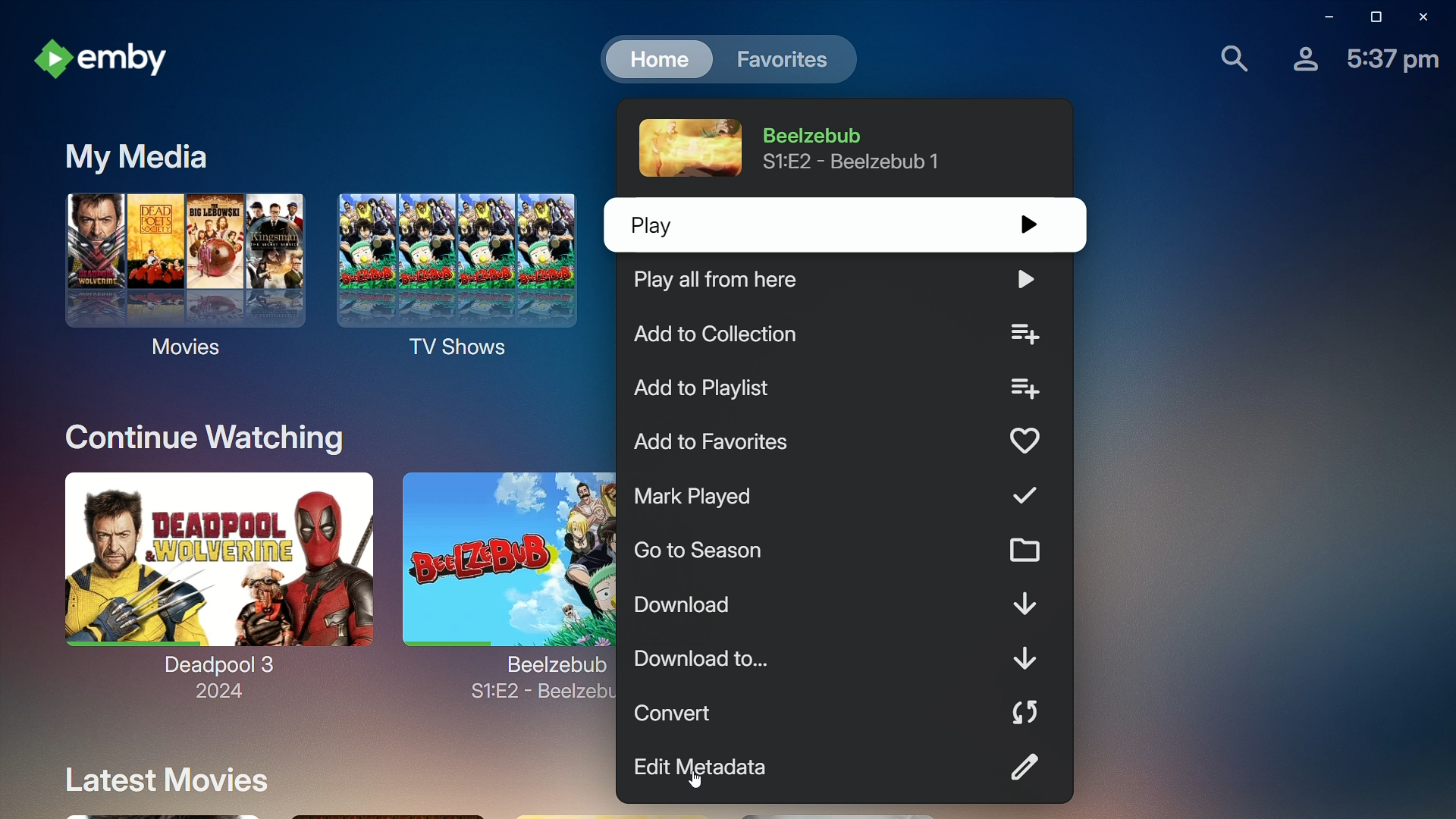  Describe the element at coordinates (861, 148) in the screenshot. I see `Beelzebub
ST:E2 - Beelzebub 1` at that location.